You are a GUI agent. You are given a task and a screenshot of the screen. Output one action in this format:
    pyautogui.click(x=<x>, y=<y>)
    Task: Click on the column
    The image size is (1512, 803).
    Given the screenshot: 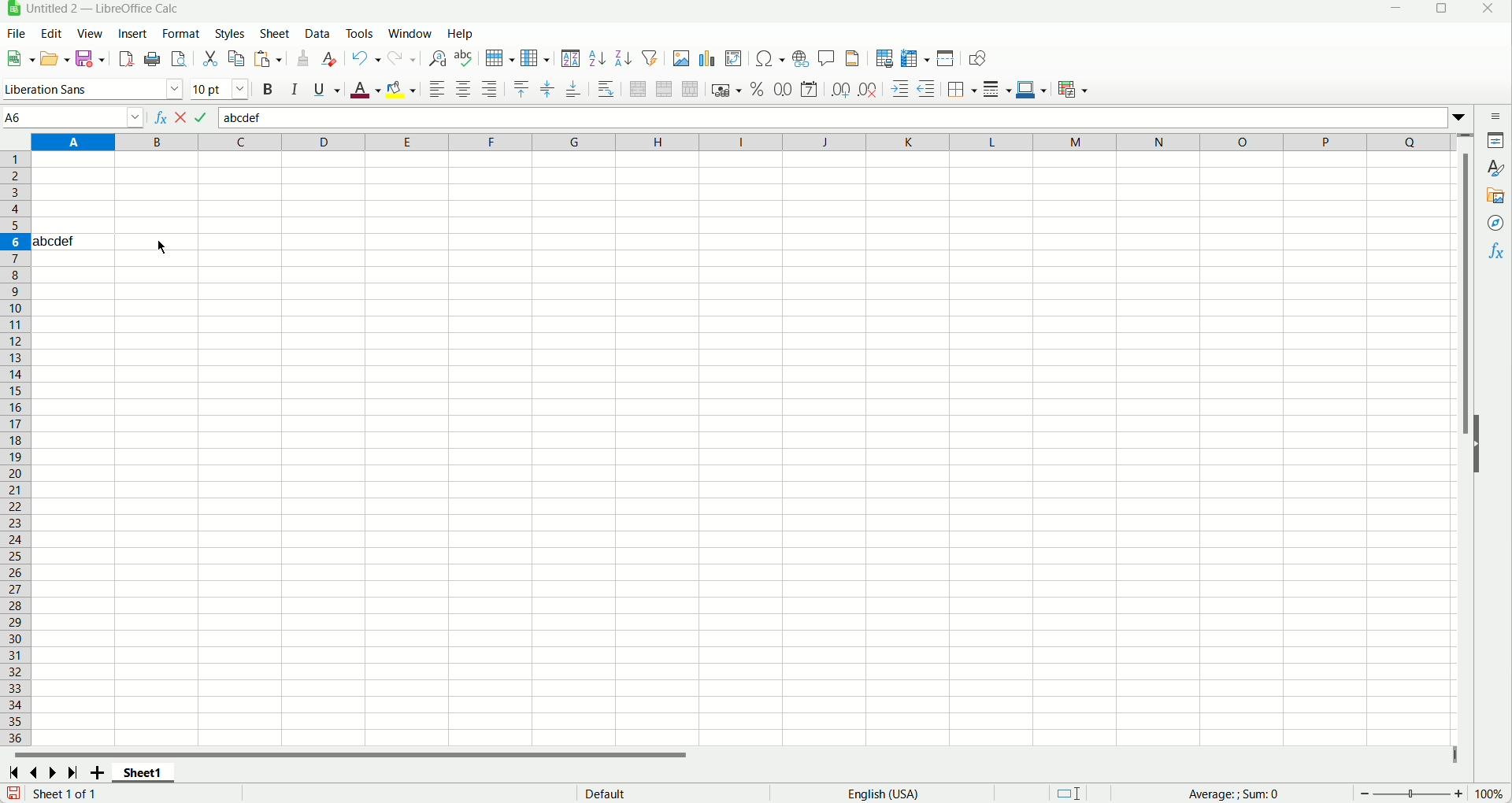 What is the action you would take?
    pyautogui.click(x=741, y=142)
    